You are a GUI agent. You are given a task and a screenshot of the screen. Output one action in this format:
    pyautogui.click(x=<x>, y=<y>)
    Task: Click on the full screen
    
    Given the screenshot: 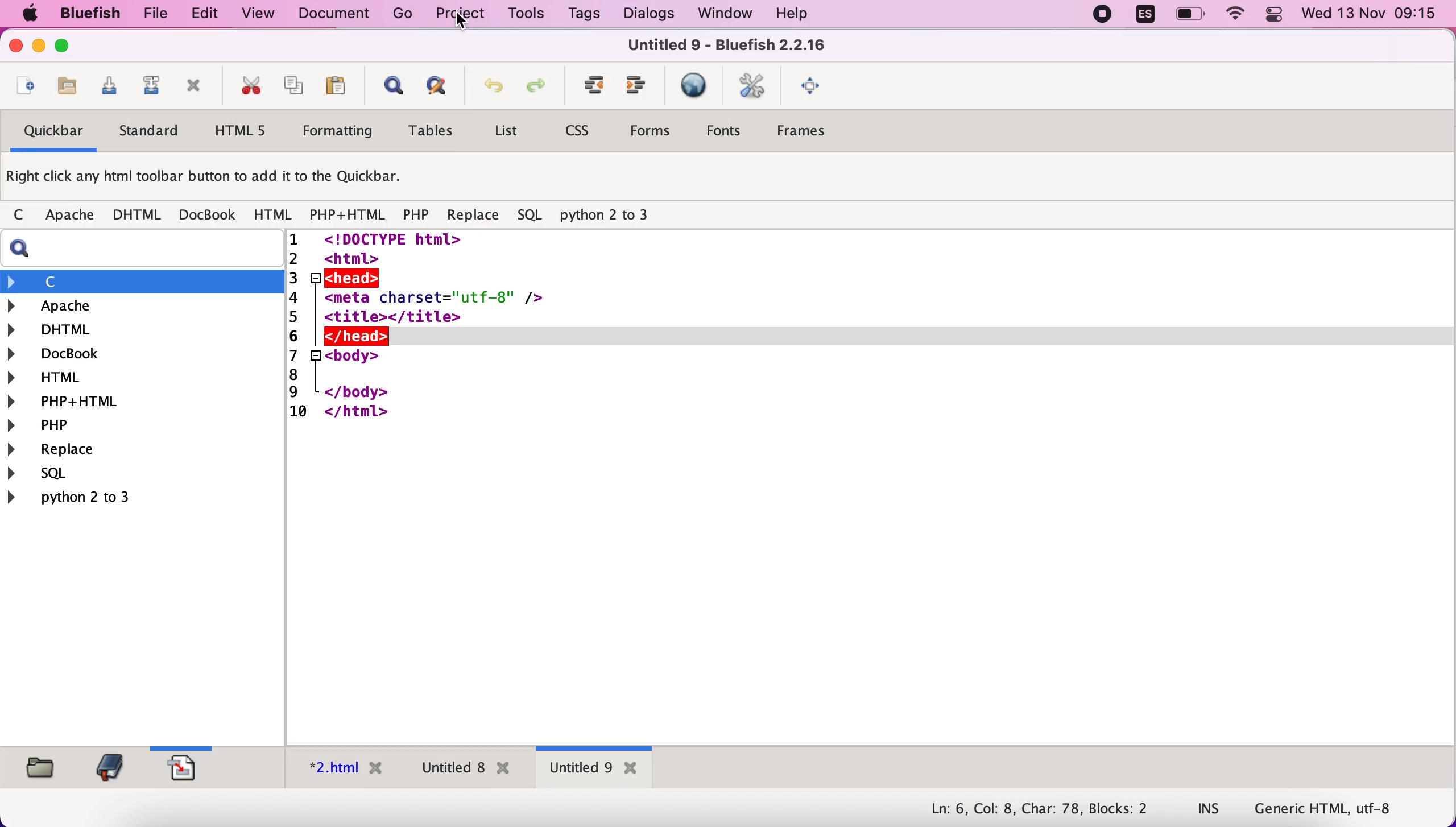 What is the action you would take?
    pyautogui.click(x=813, y=88)
    